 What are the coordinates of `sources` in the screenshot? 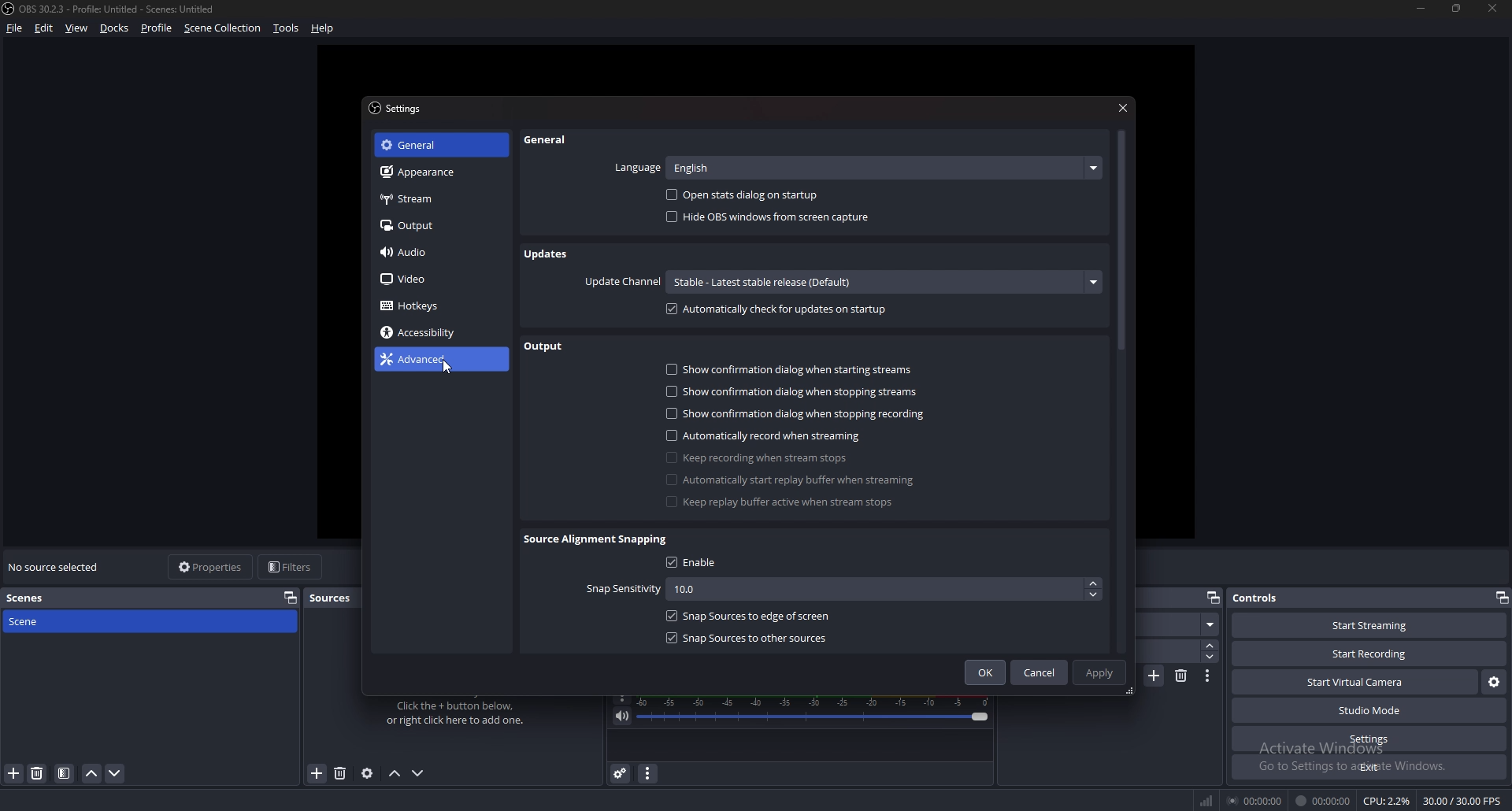 It's located at (335, 598).